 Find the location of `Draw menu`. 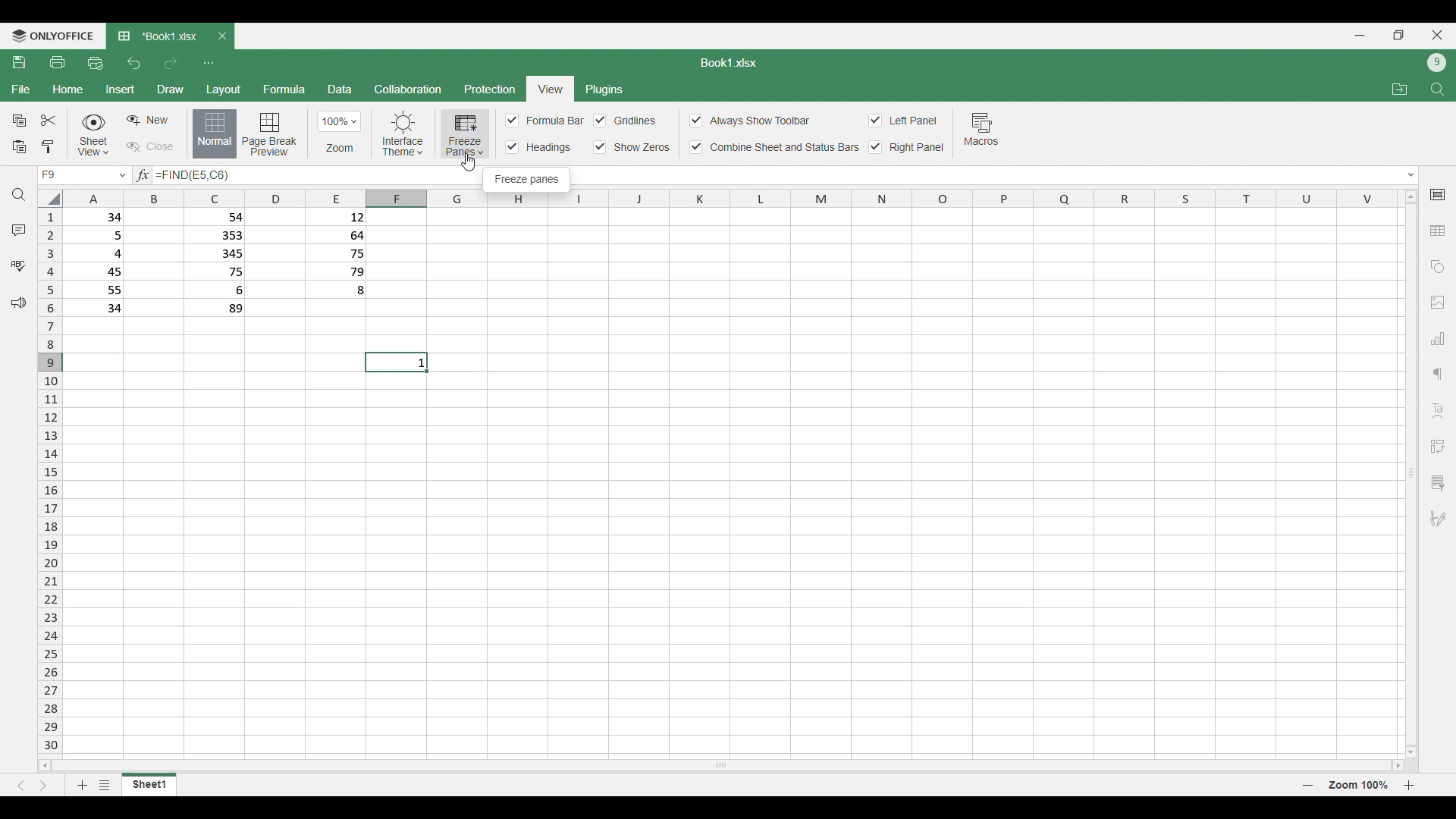

Draw menu is located at coordinates (171, 89).